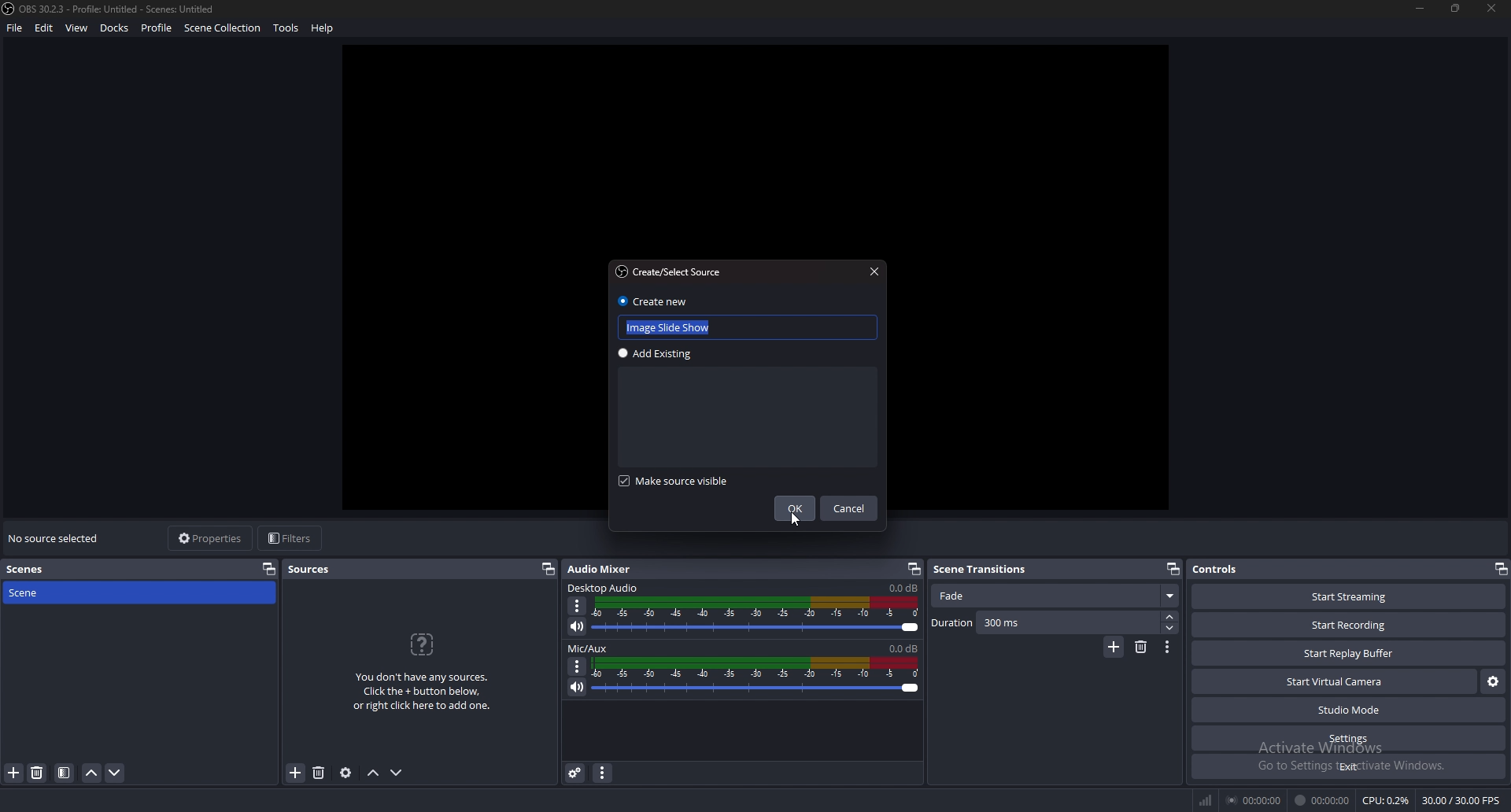  What do you see at coordinates (374, 772) in the screenshot?
I see `move source up` at bounding box center [374, 772].